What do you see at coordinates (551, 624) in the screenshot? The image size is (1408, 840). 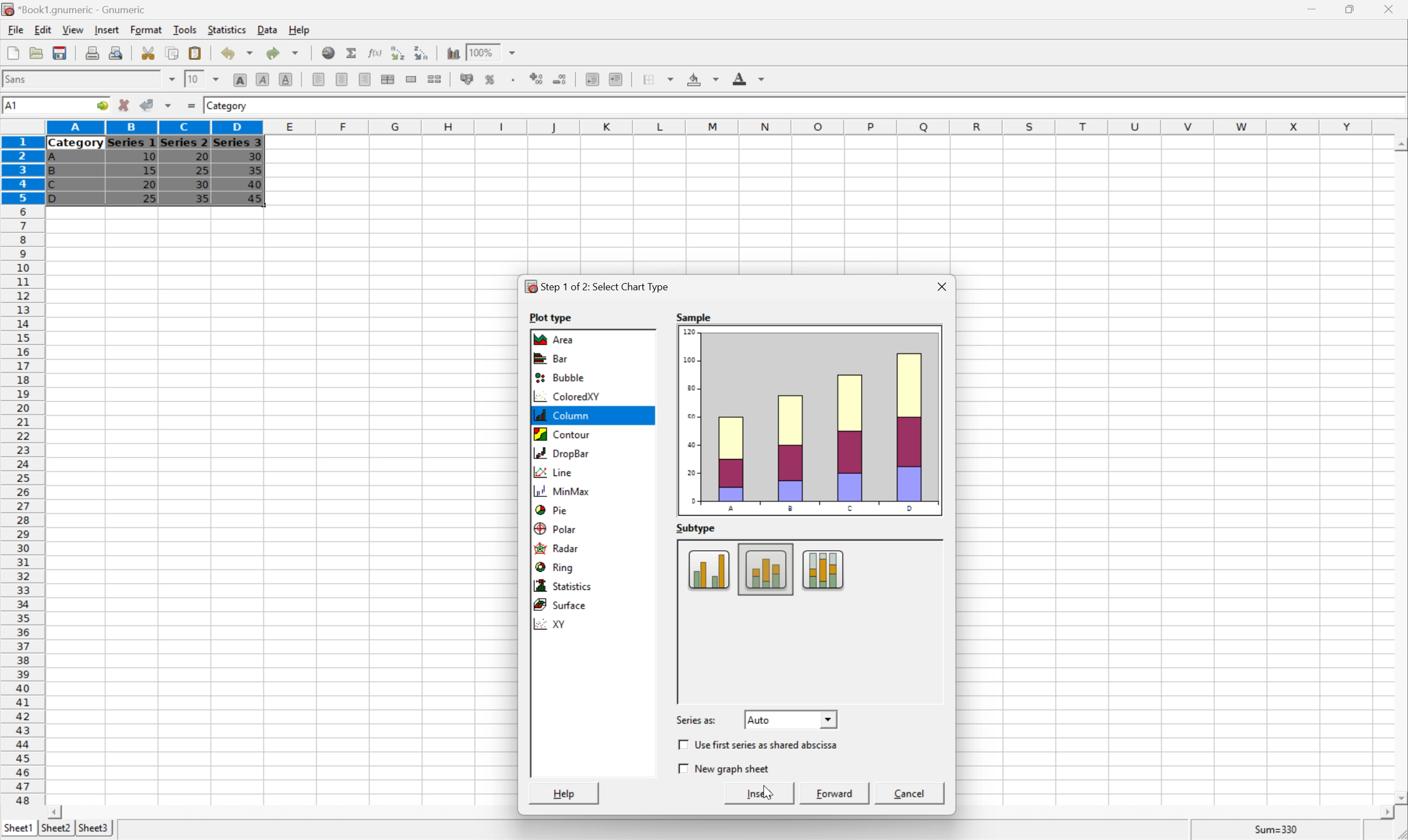 I see `XY` at bounding box center [551, 624].